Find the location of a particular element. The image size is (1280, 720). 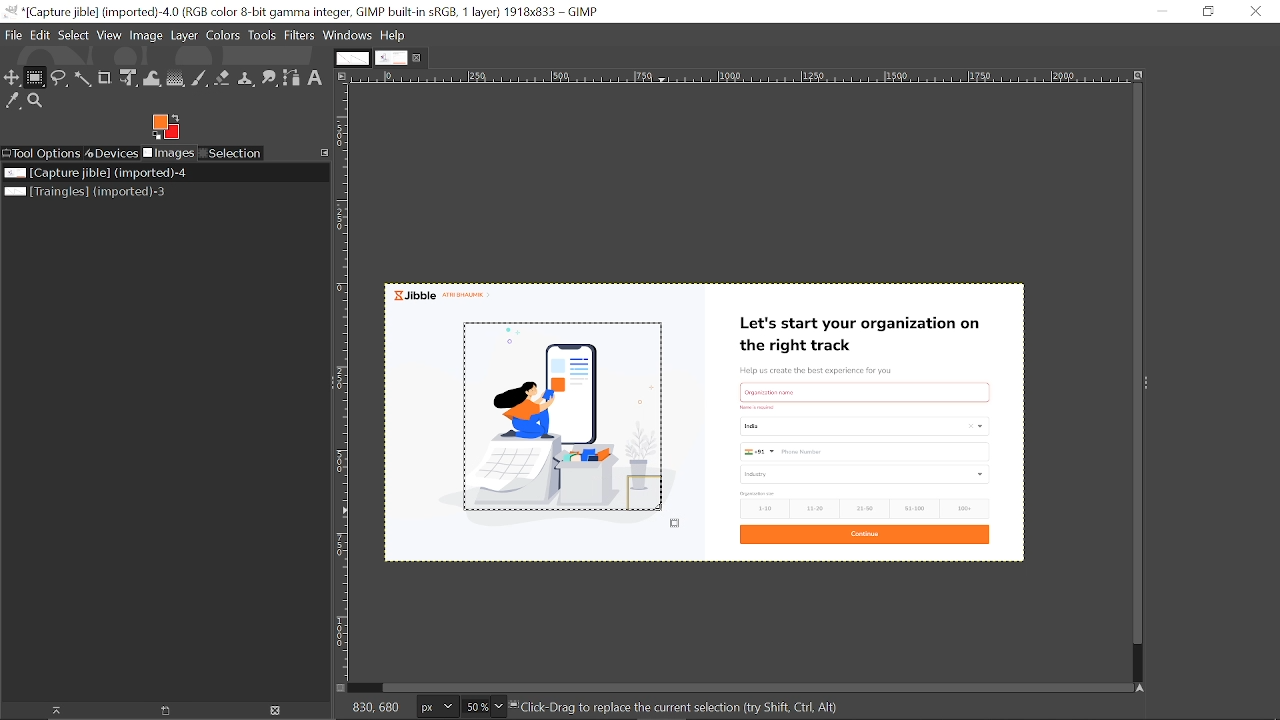

Zoom is located at coordinates (35, 103).